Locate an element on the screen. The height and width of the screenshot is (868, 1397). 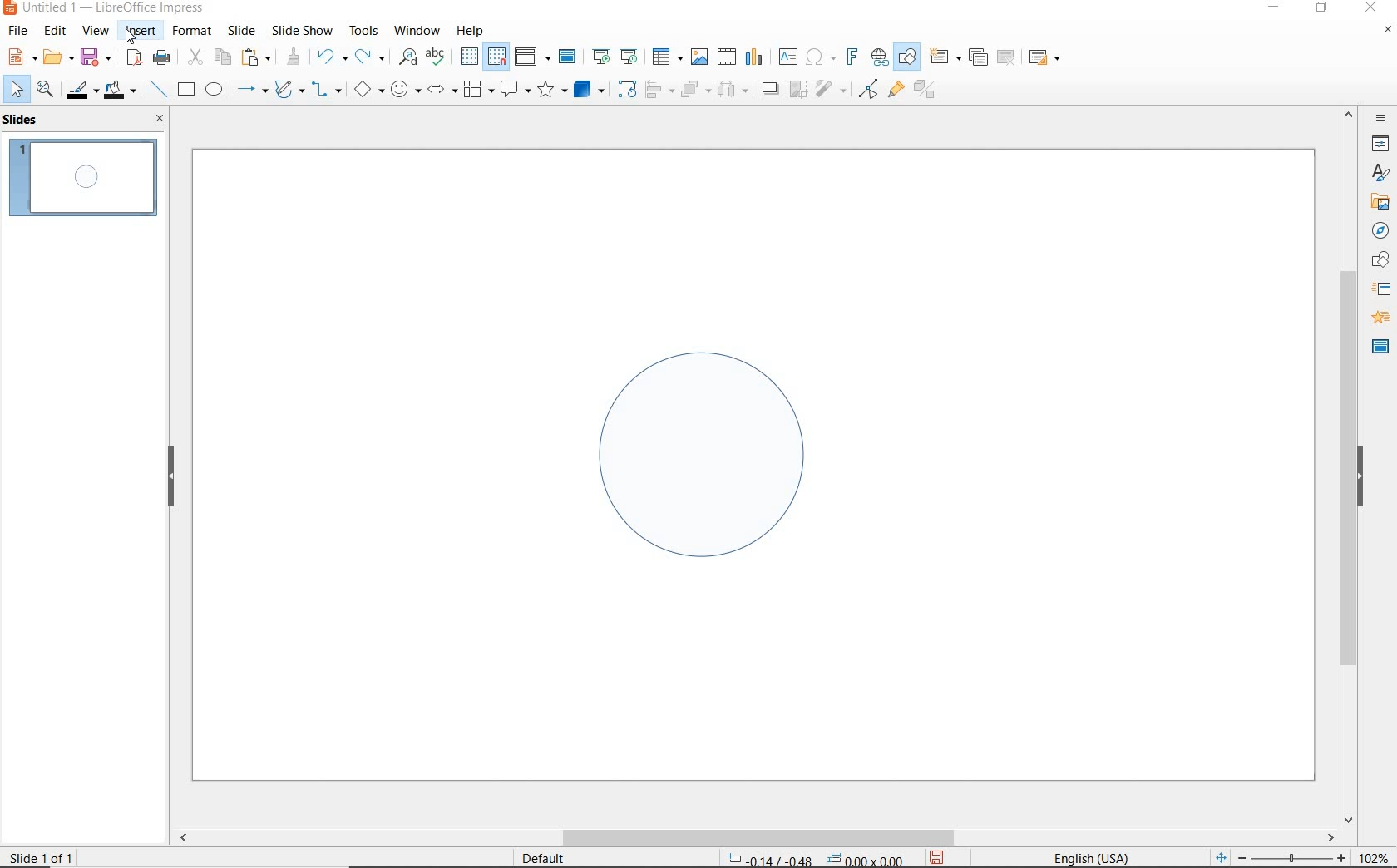
undo is located at coordinates (329, 58).